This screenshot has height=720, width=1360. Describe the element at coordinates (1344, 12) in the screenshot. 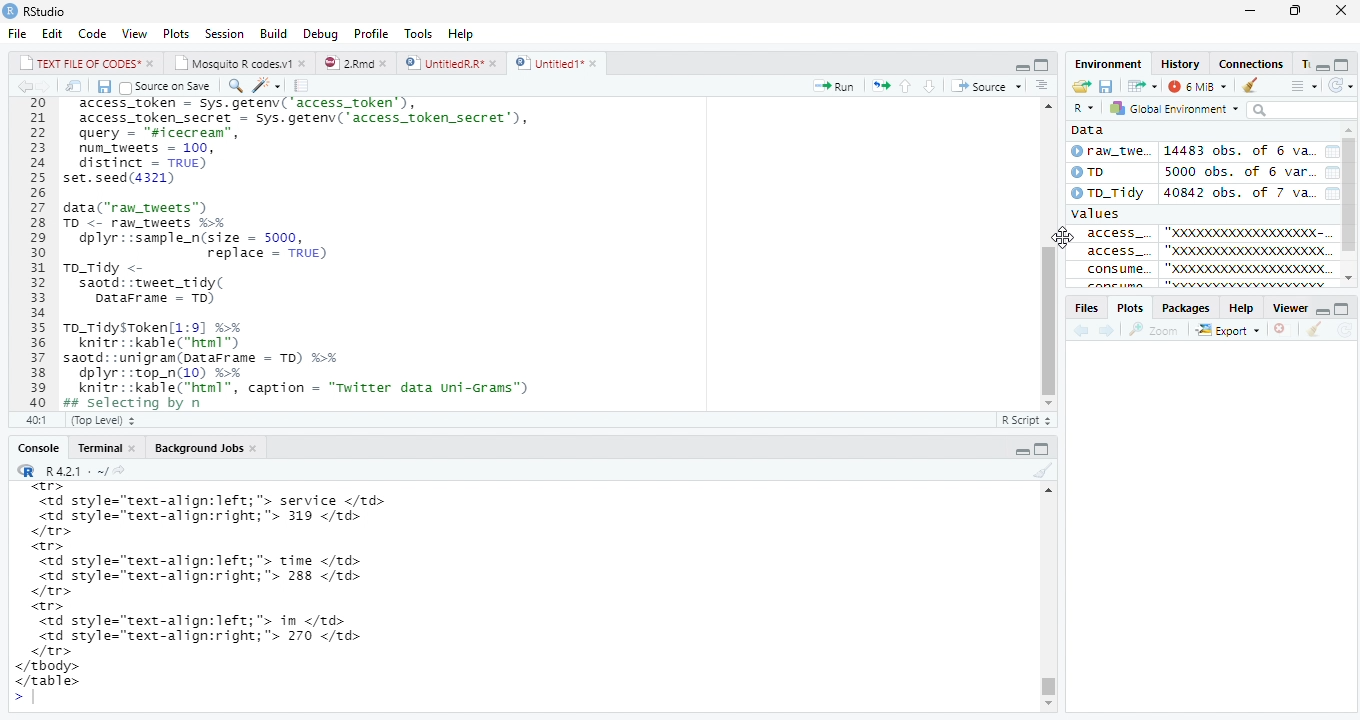

I see `close` at that location.